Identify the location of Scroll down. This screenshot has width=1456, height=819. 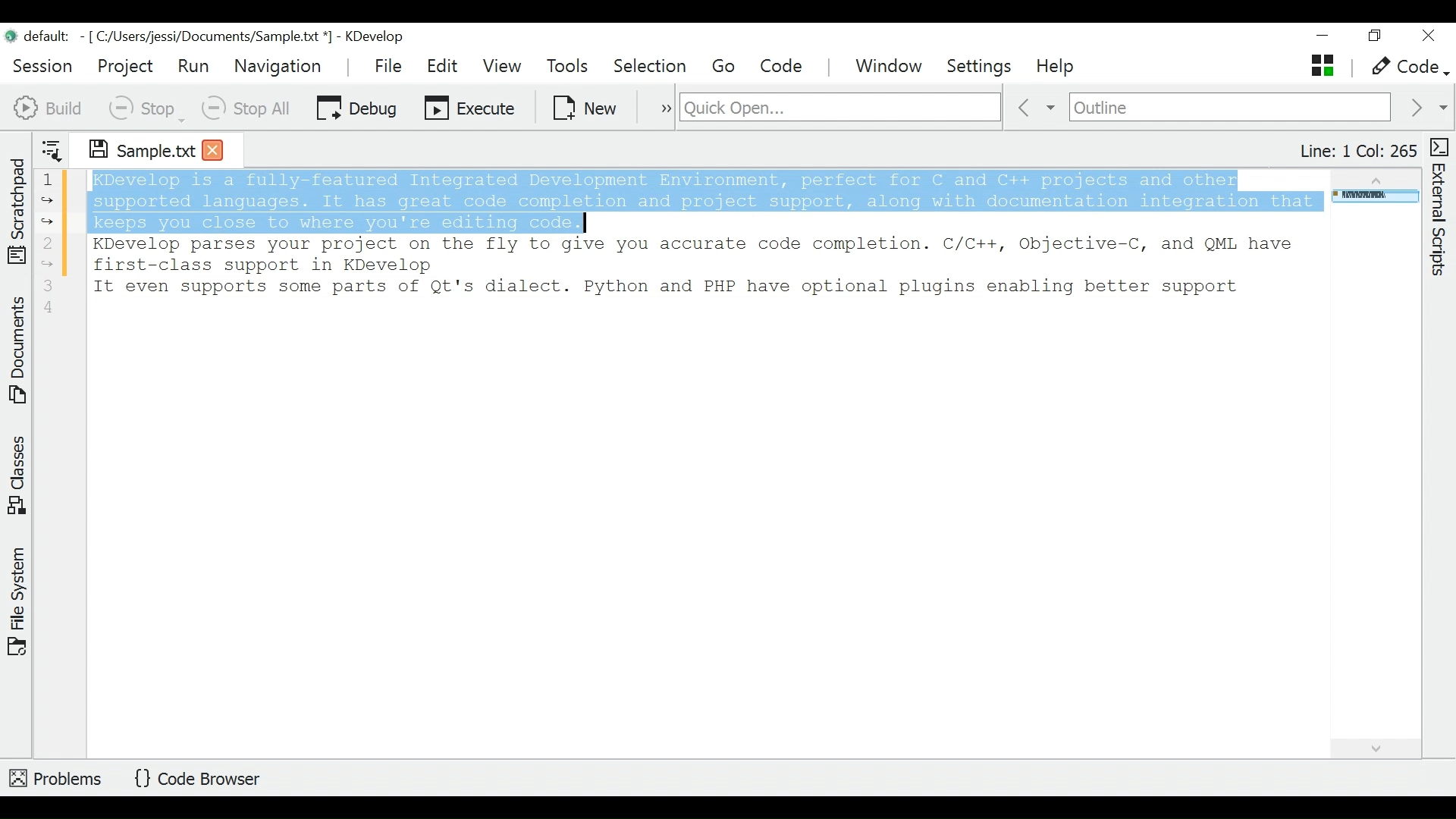
(1374, 746).